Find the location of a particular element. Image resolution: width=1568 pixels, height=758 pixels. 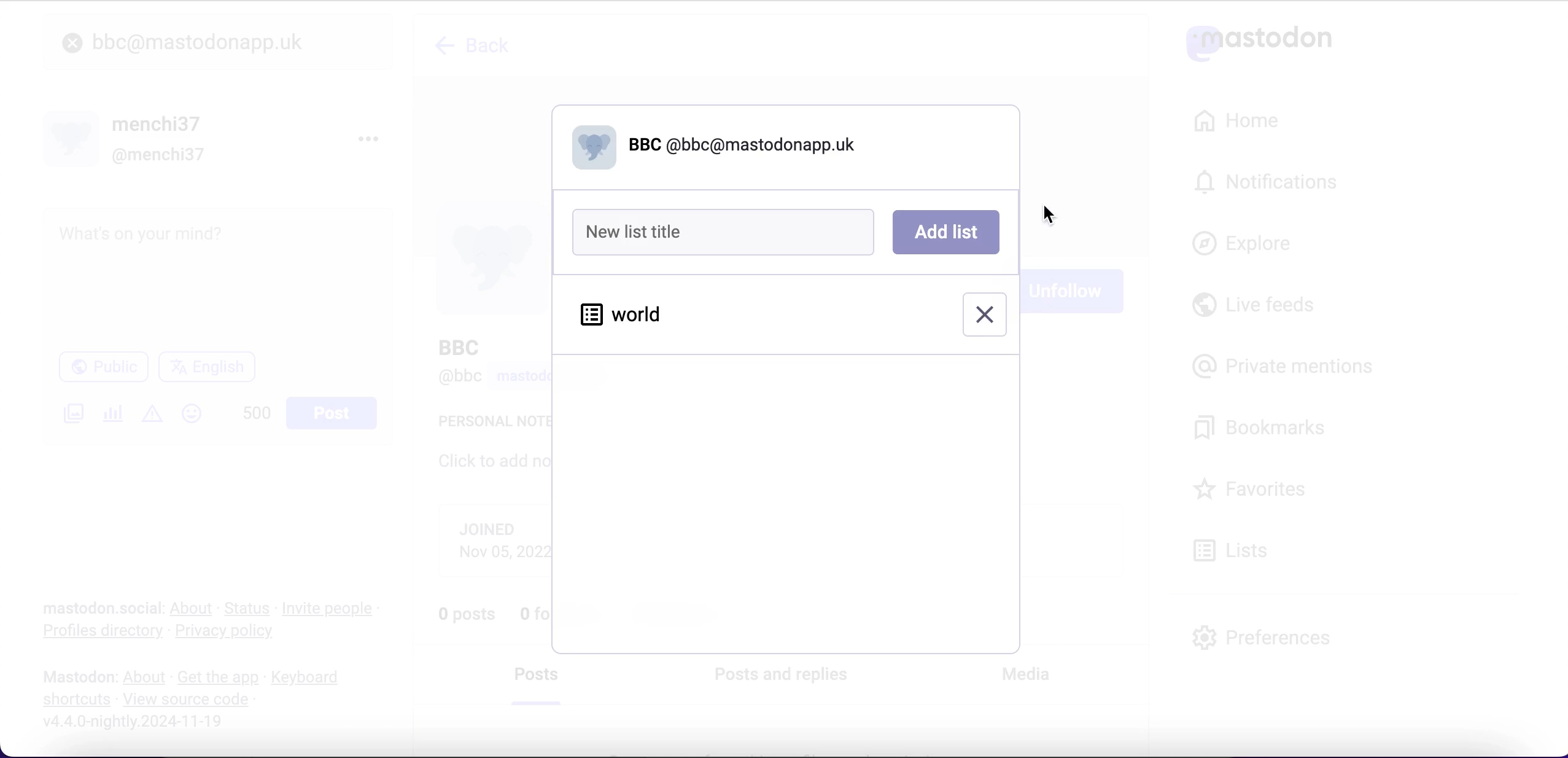

shortcuts is located at coordinates (72, 700).